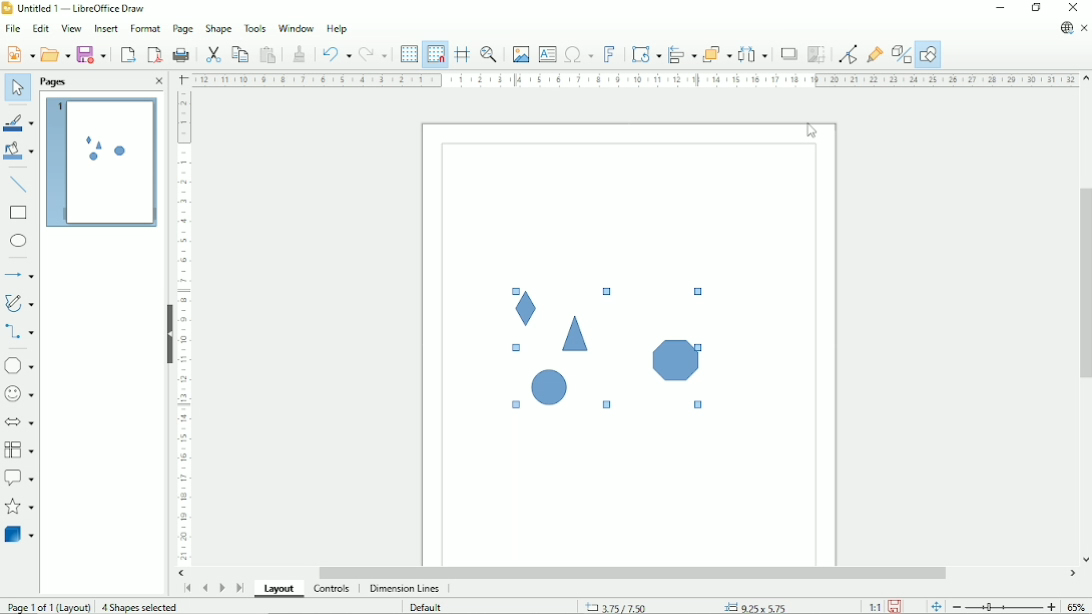 The image size is (1092, 614). Describe the element at coordinates (374, 55) in the screenshot. I see `Redo` at that location.